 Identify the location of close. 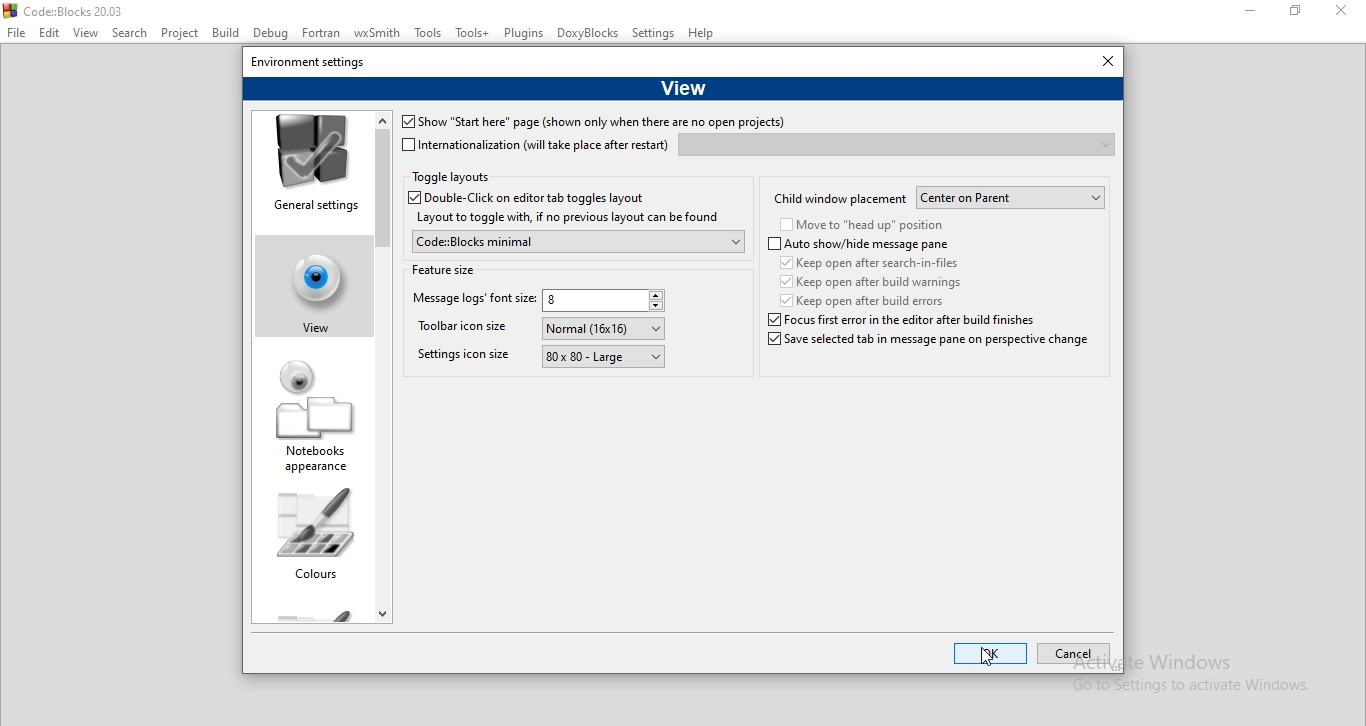
(1346, 14).